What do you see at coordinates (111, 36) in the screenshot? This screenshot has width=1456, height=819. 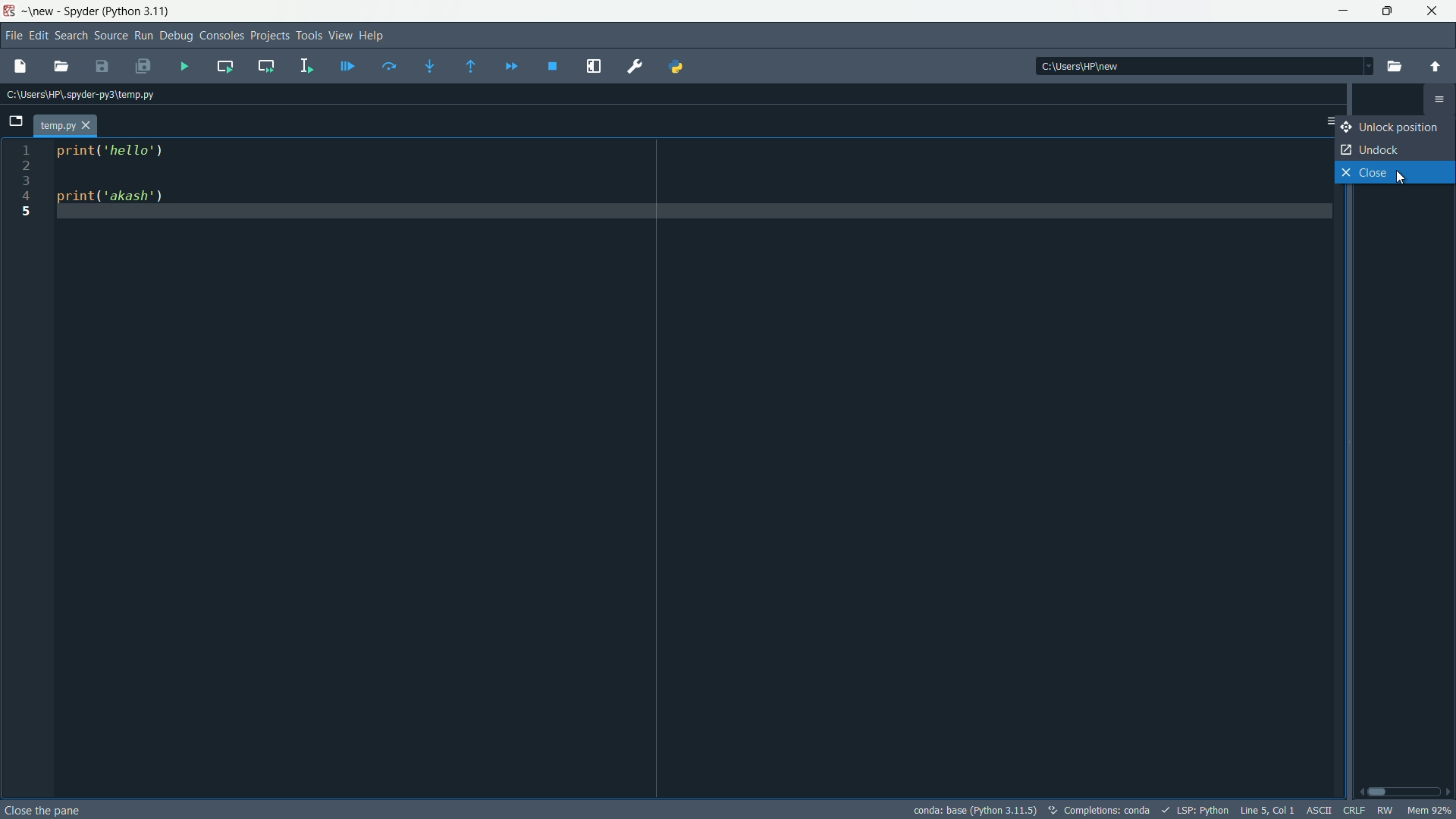 I see `Source Button` at bounding box center [111, 36].